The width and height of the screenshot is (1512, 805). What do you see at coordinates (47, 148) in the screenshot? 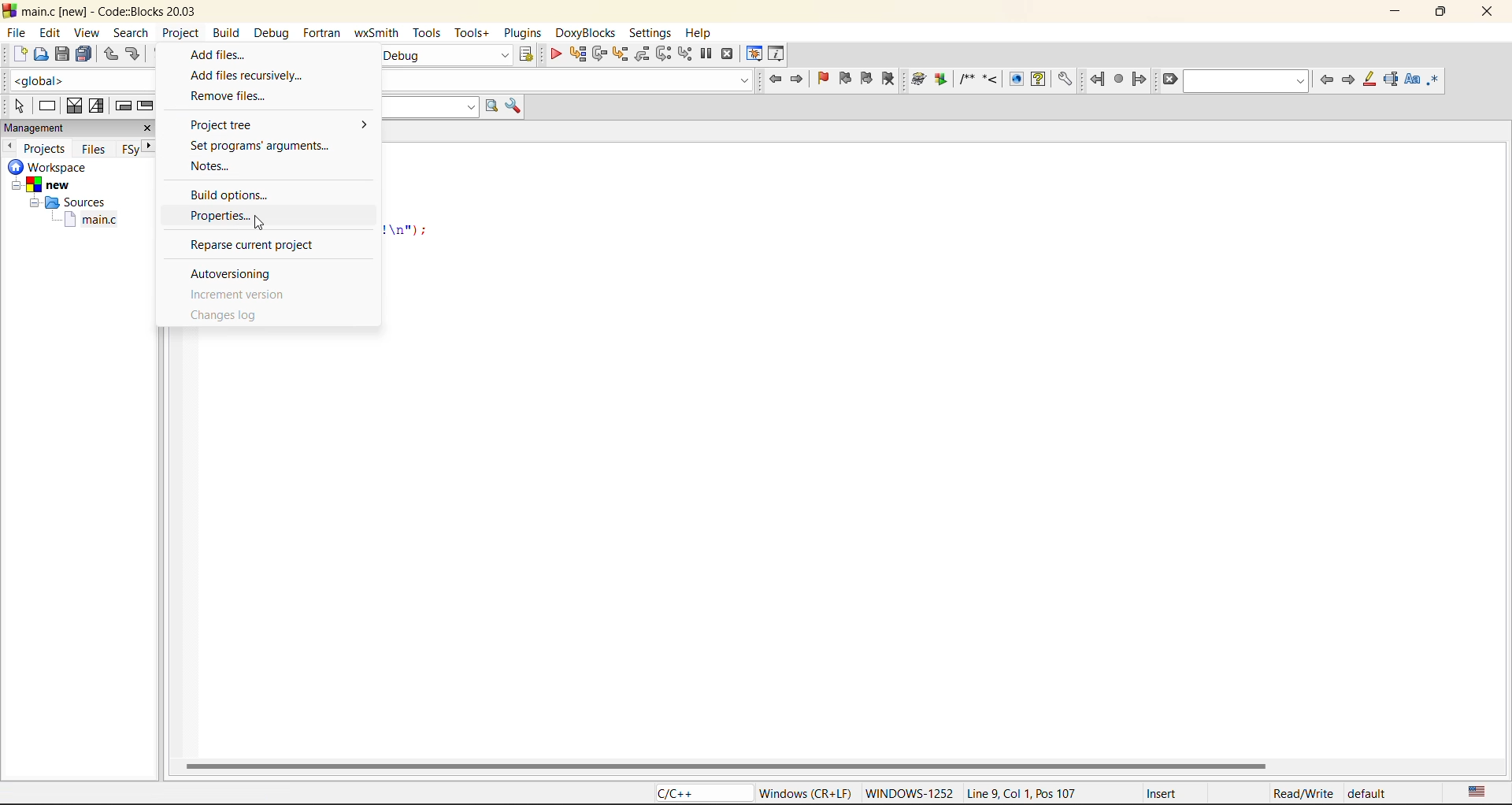
I see `projects` at bounding box center [47, 148].